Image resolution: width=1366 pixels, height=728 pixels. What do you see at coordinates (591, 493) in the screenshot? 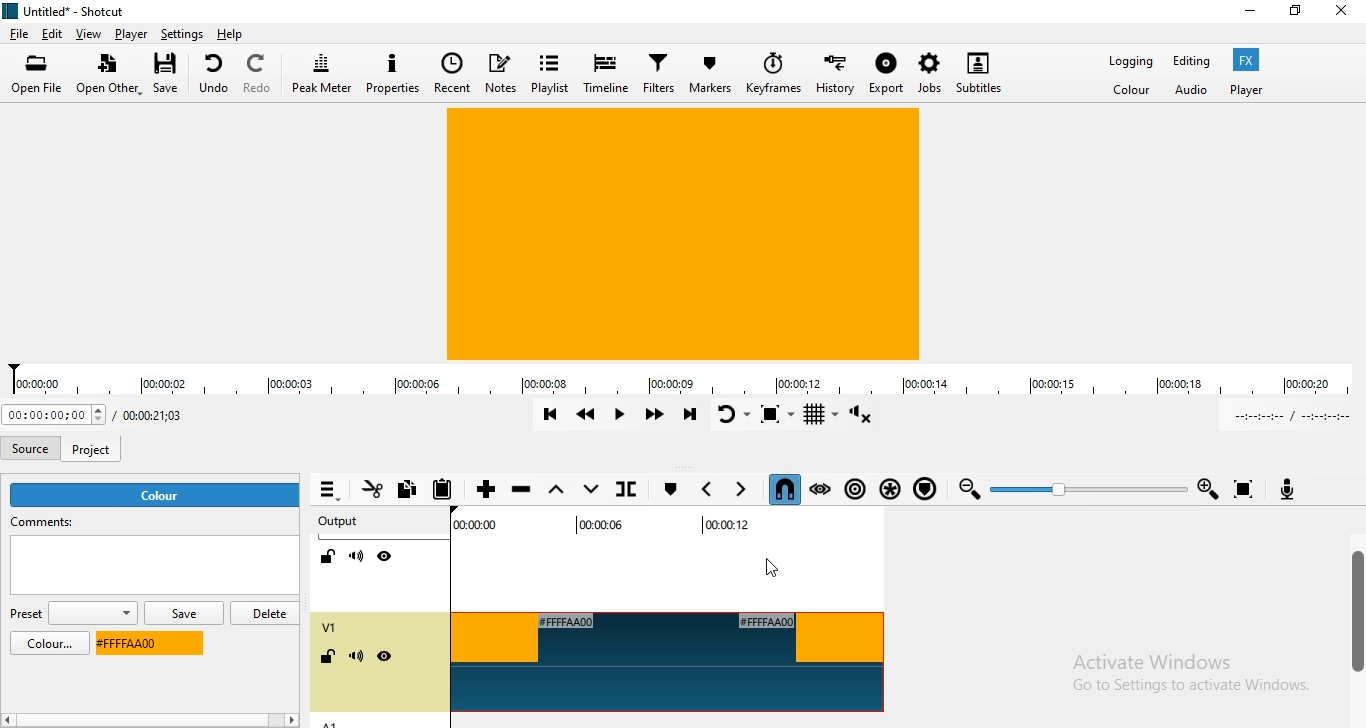
I see `overwrite` at bounding box center [591, 493].